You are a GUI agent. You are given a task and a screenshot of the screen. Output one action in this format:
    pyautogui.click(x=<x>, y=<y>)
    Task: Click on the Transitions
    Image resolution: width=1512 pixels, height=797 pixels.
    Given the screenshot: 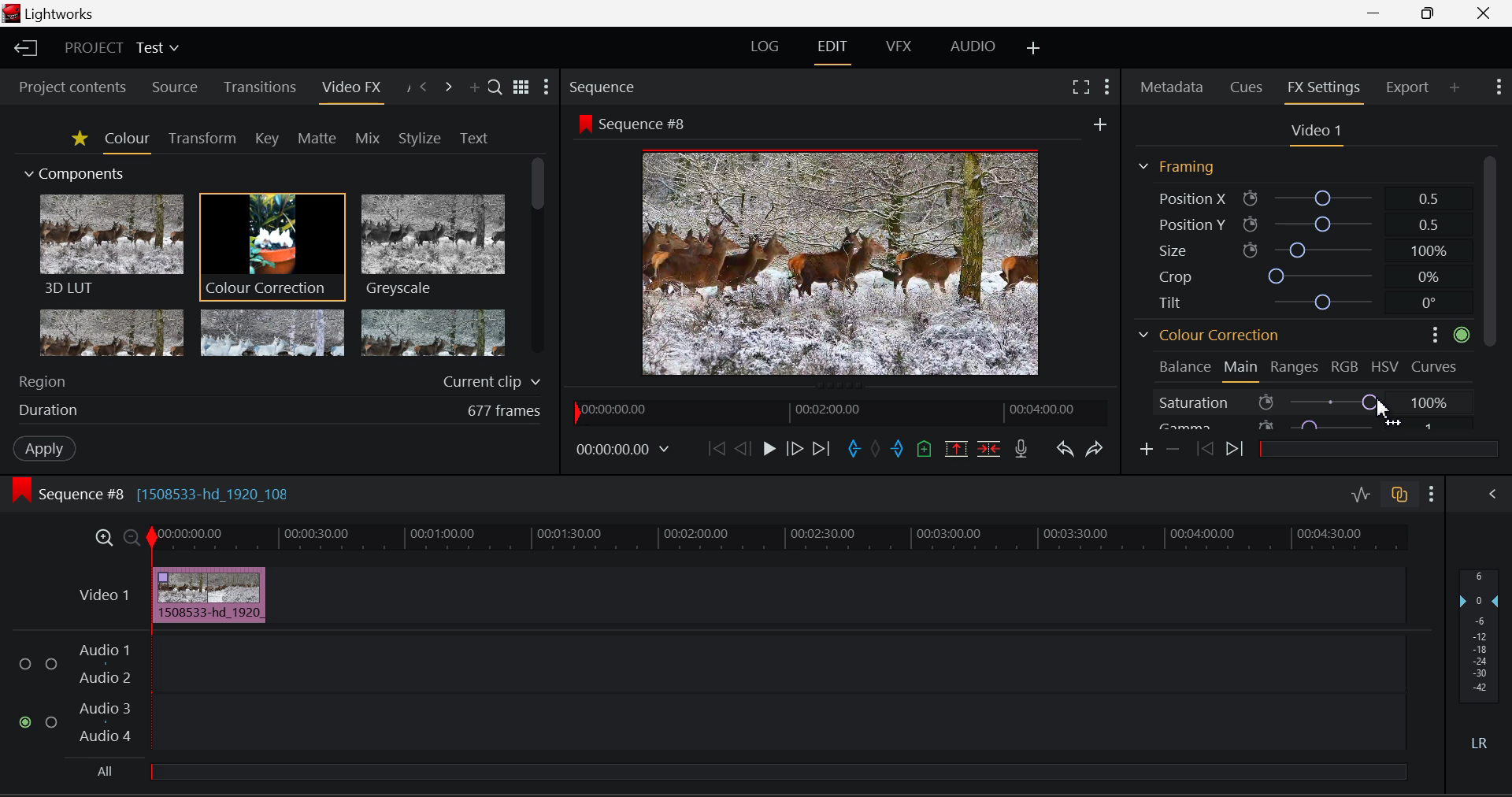 What is the action you would take?
    pyautogui.click(x=260, y=87)
    